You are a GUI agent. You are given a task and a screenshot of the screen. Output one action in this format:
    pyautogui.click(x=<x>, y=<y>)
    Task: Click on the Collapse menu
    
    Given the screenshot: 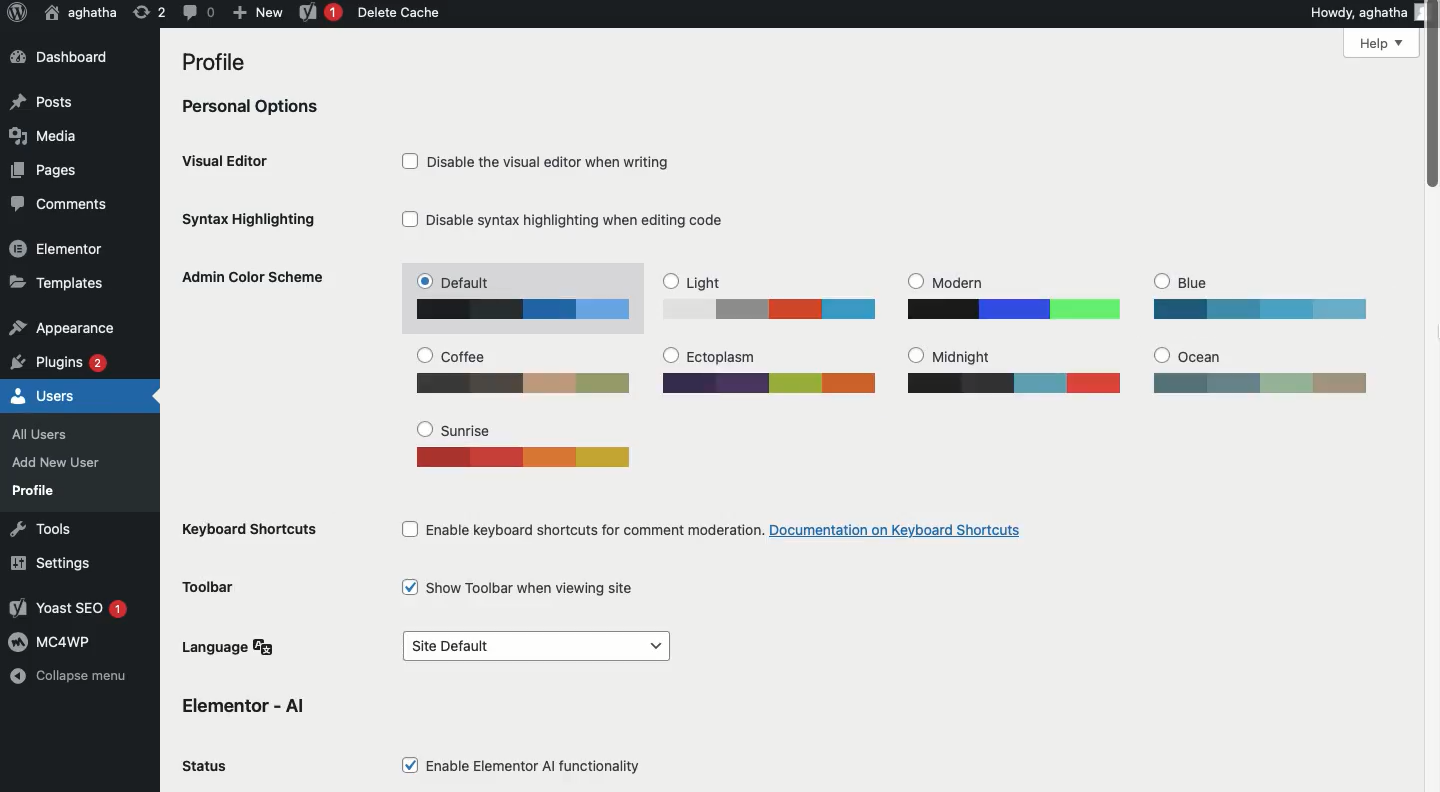 What is the action you would take?
    pyautogui.click(x=78, y=677)
    